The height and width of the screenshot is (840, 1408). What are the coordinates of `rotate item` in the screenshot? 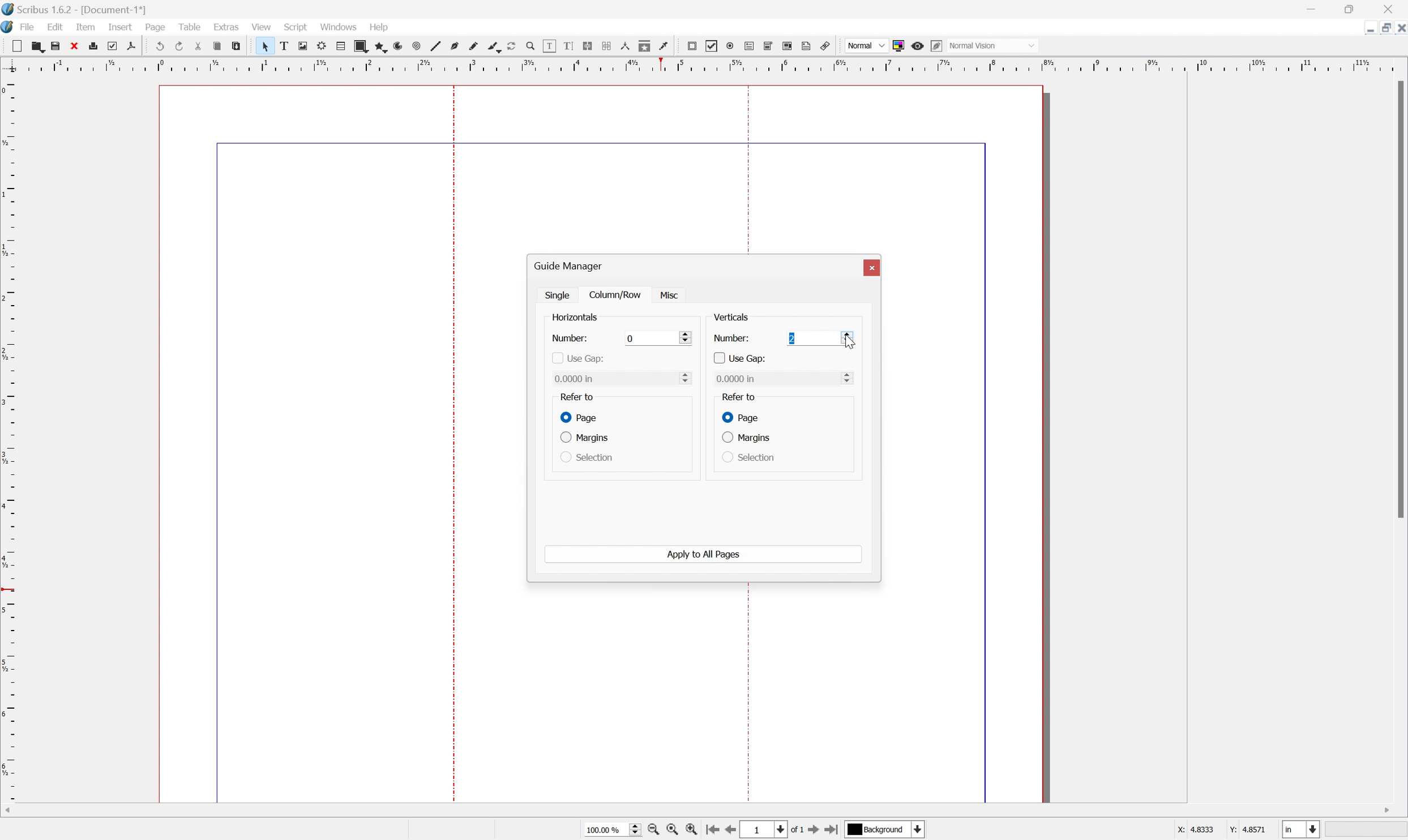 It's located at (511, 46).